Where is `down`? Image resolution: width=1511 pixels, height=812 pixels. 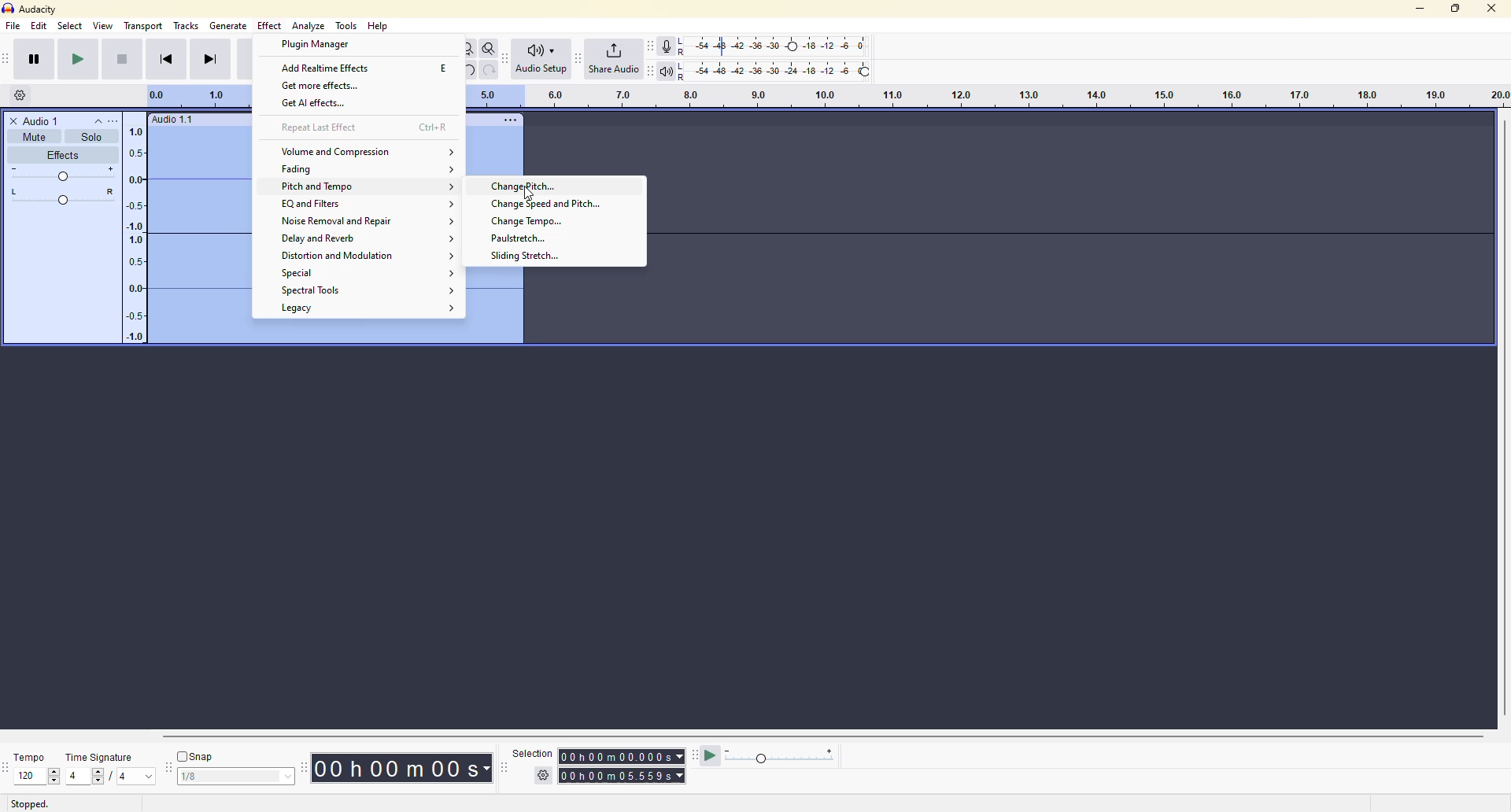 down is located at coordinates (54, 781).